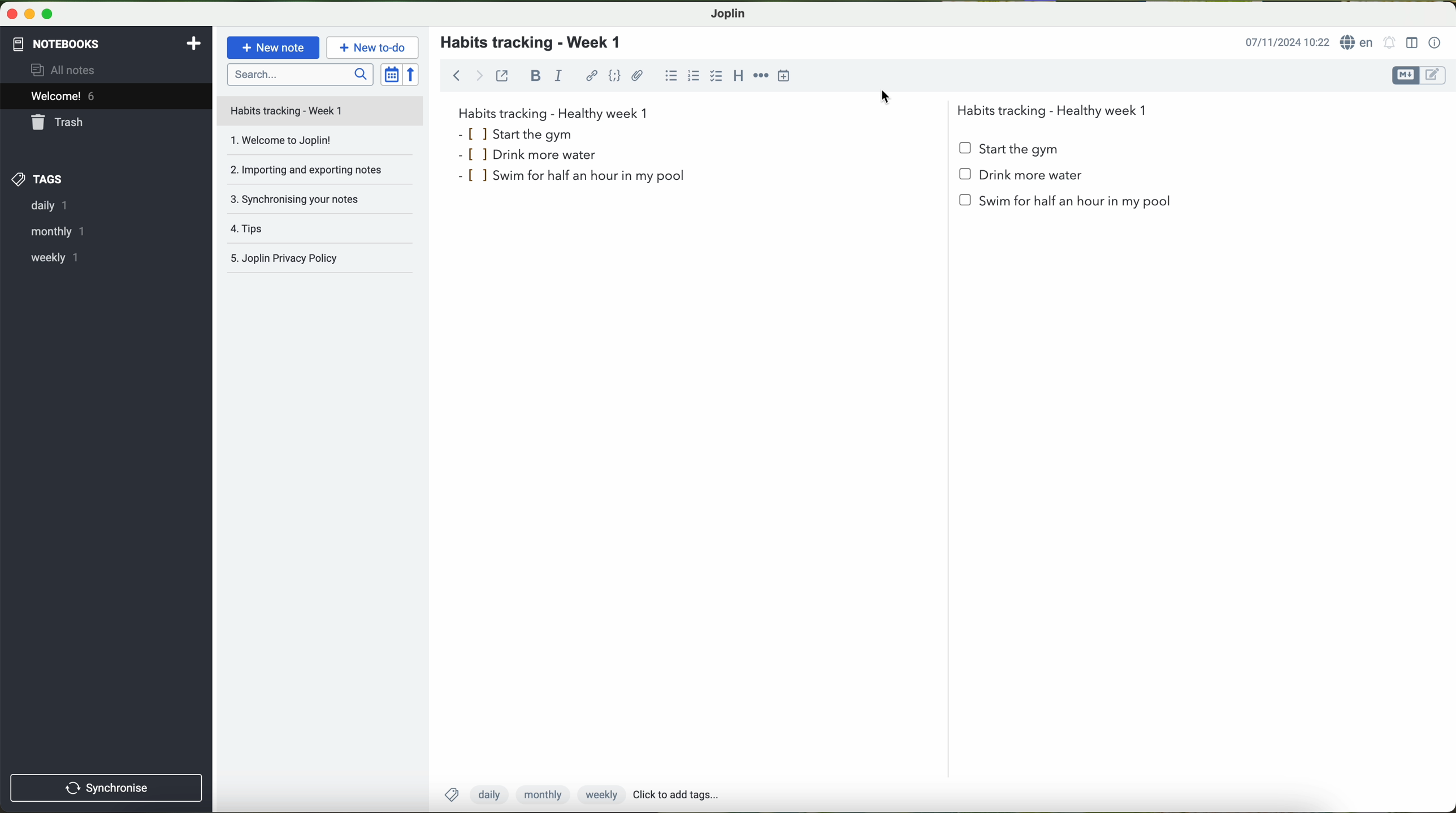  What do you see at coordinates (540, 155) in the screenshot?
I see `drink more water` at bounding box center [540, 155].